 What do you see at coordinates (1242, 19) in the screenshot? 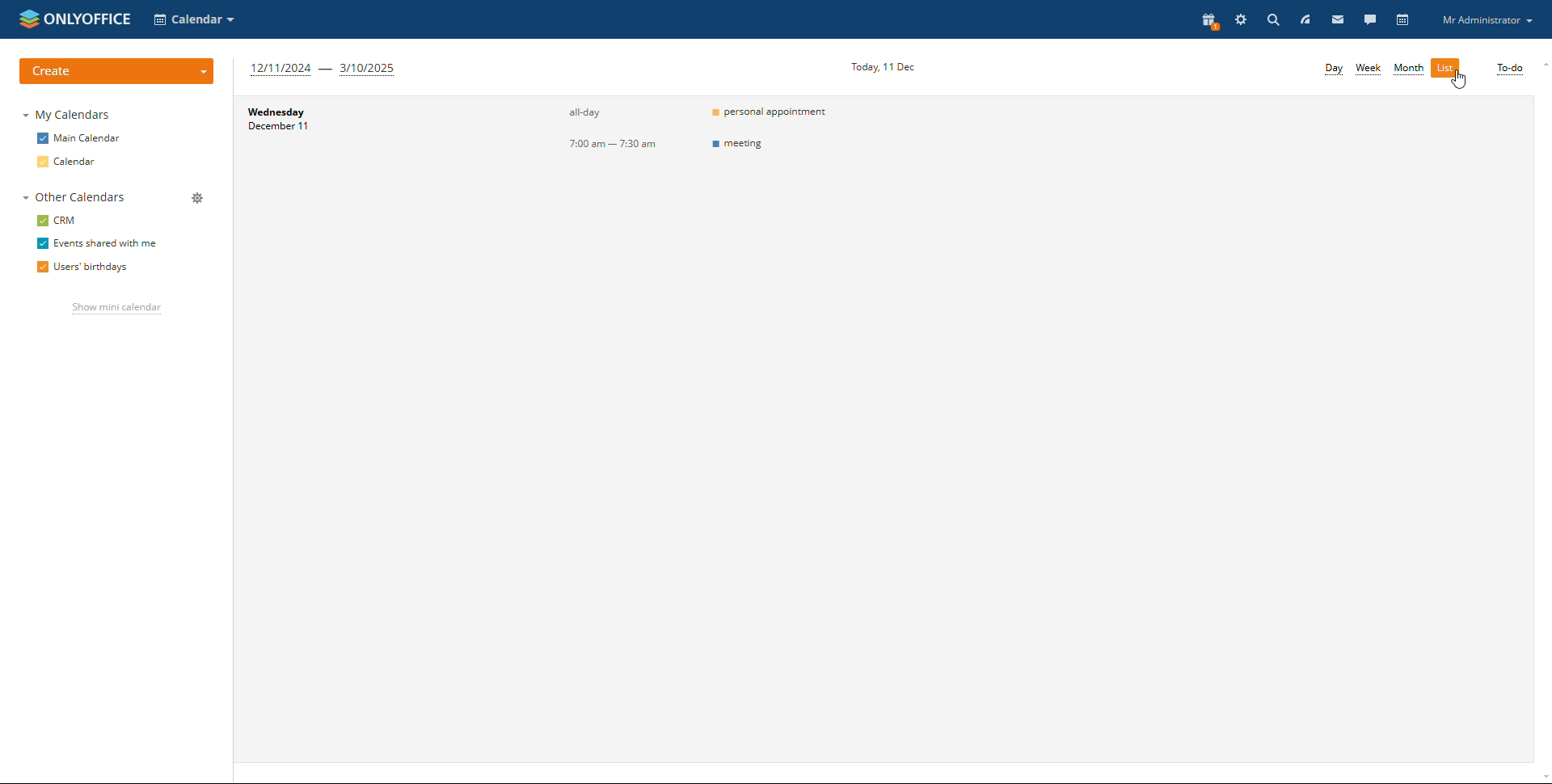
I see `` at bounding box center [1242, 19].